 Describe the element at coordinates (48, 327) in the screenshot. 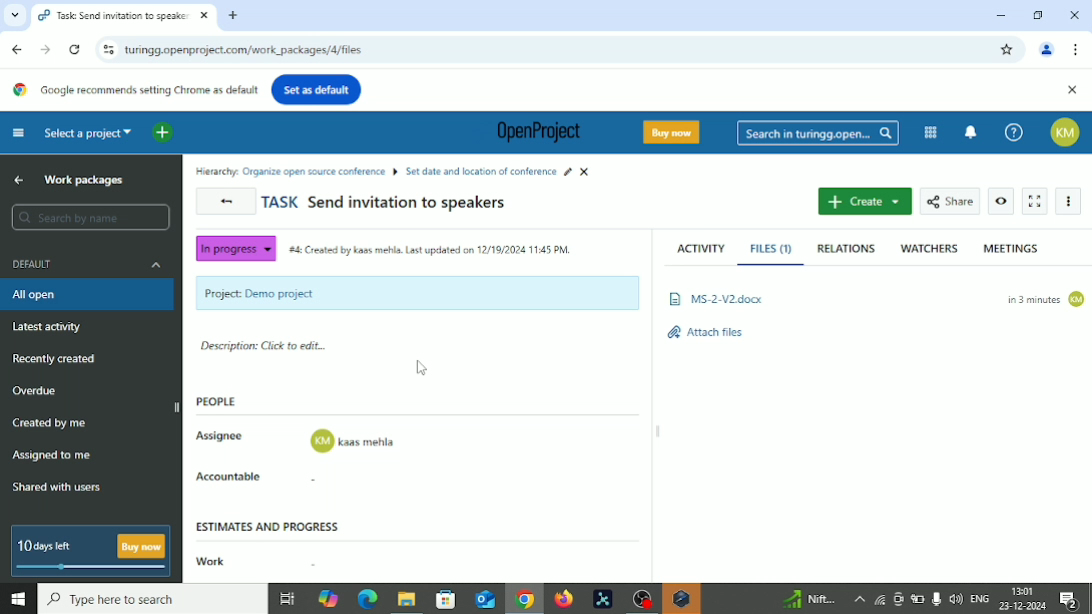

I see `Latest activity` at that location.